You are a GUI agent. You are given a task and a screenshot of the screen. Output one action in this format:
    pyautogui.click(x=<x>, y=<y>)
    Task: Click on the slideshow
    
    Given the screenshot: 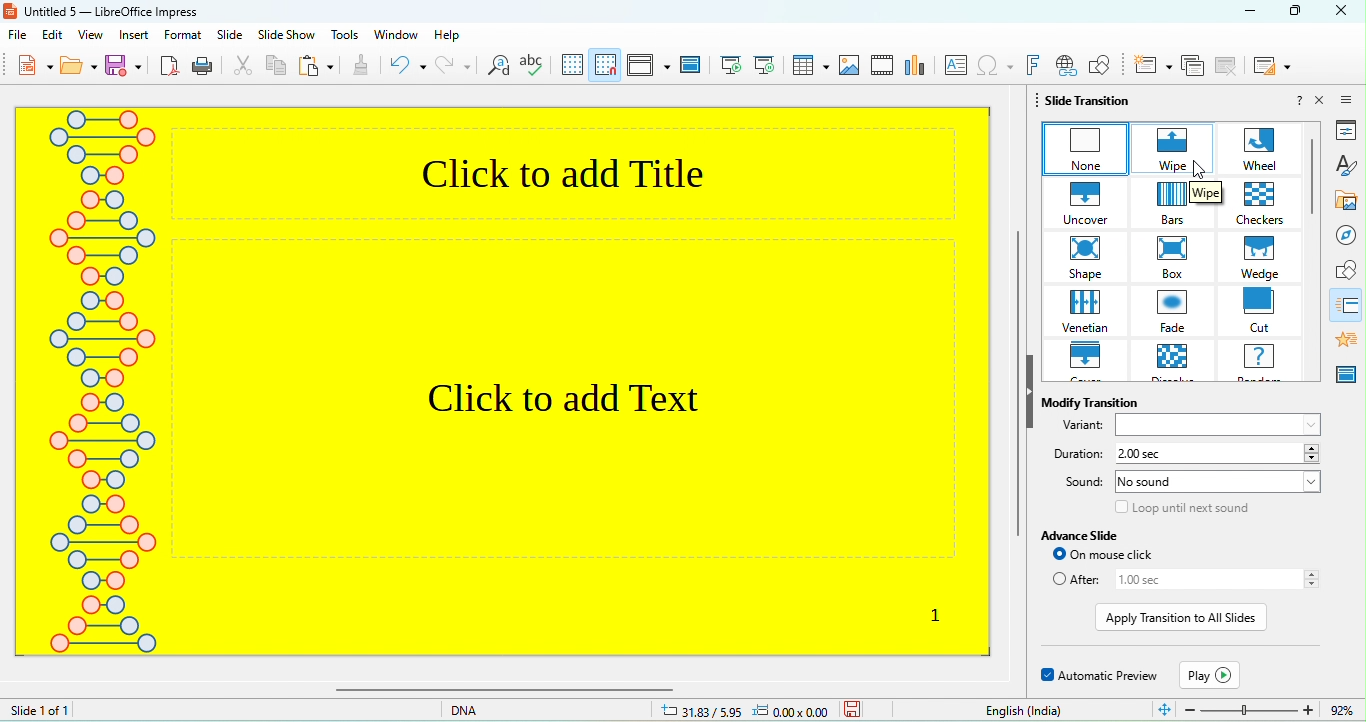 What is the action you would take?
    pyautogui.click(x=287, y=37)
    